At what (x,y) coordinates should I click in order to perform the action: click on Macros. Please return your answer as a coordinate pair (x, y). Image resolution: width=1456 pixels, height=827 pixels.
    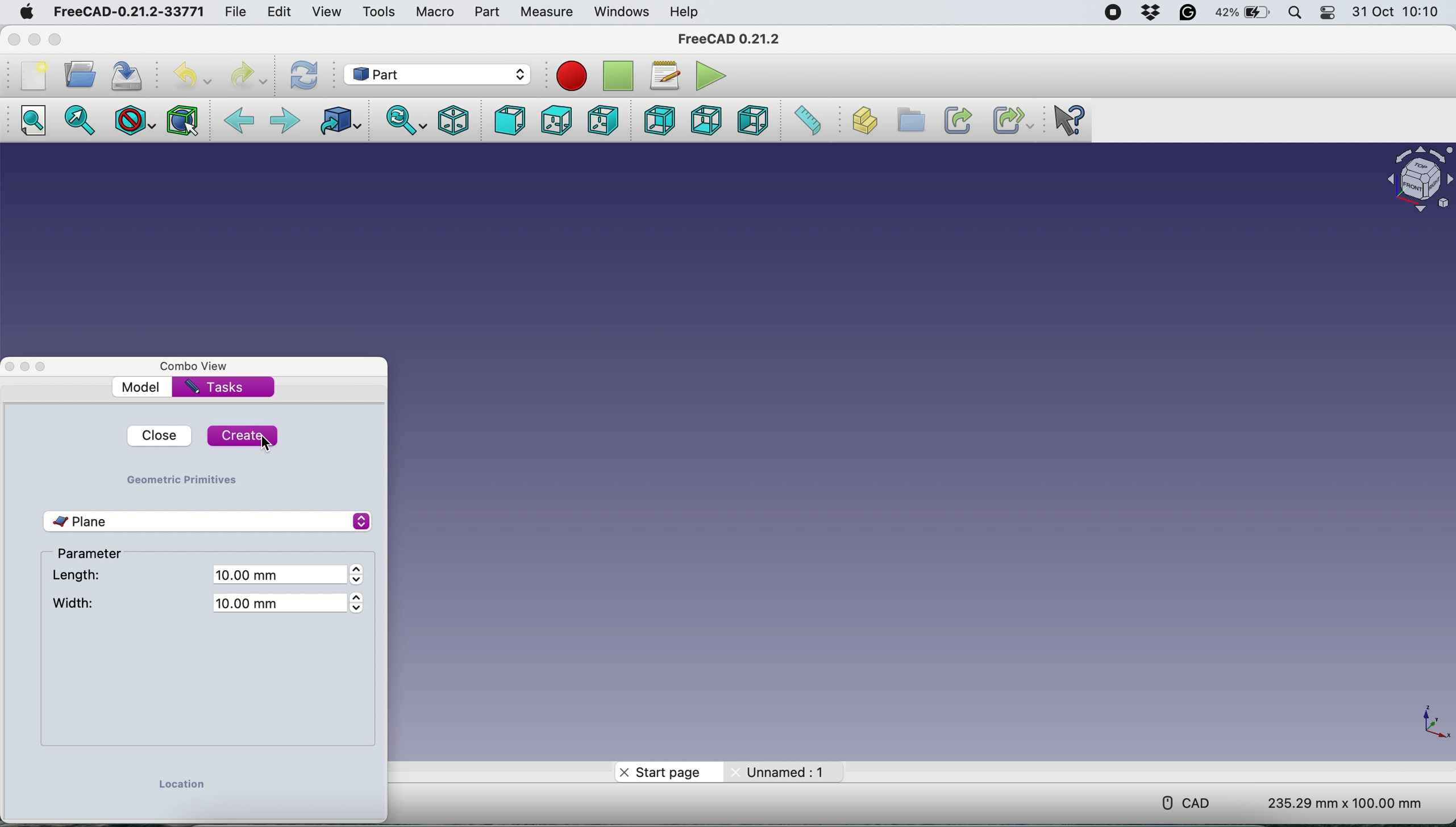
    Looking at the image, I should click on (664, 74).